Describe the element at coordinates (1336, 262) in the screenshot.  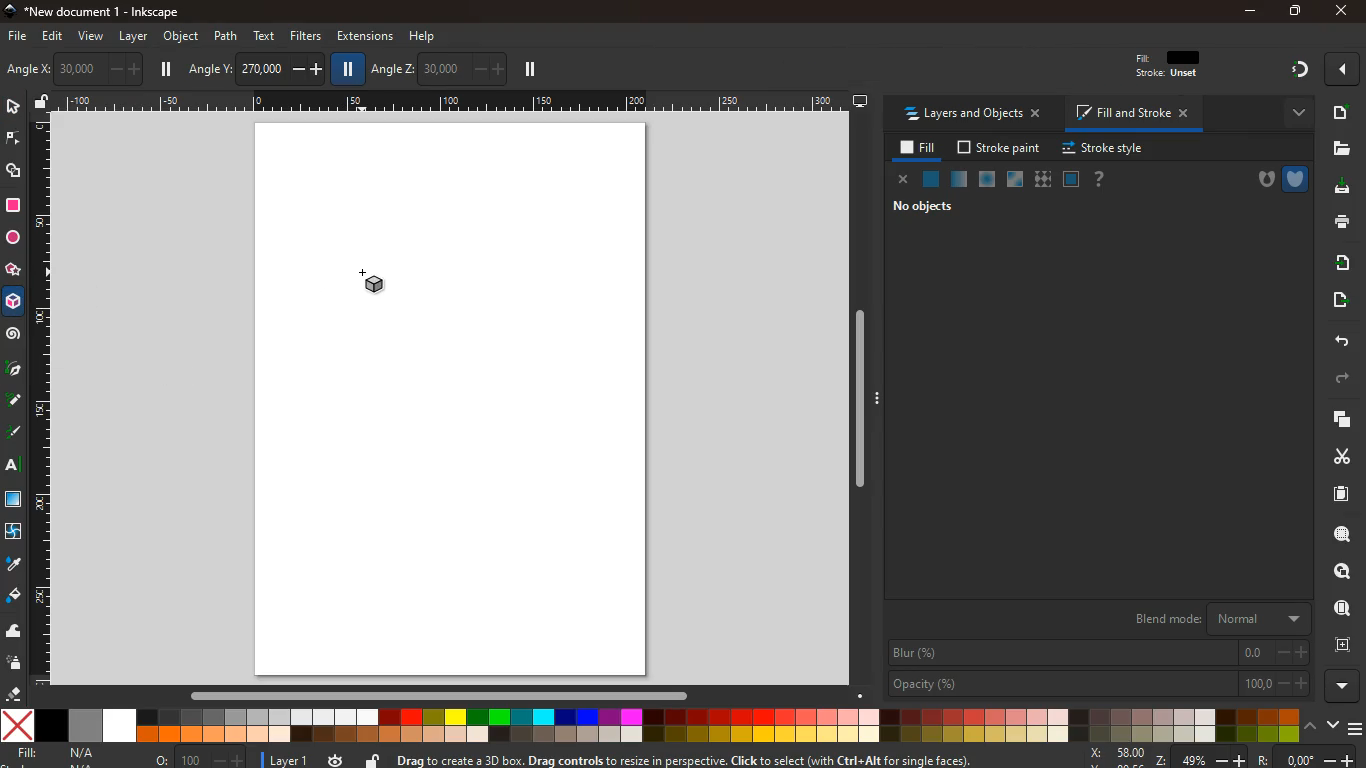
I see `receive` at that location.